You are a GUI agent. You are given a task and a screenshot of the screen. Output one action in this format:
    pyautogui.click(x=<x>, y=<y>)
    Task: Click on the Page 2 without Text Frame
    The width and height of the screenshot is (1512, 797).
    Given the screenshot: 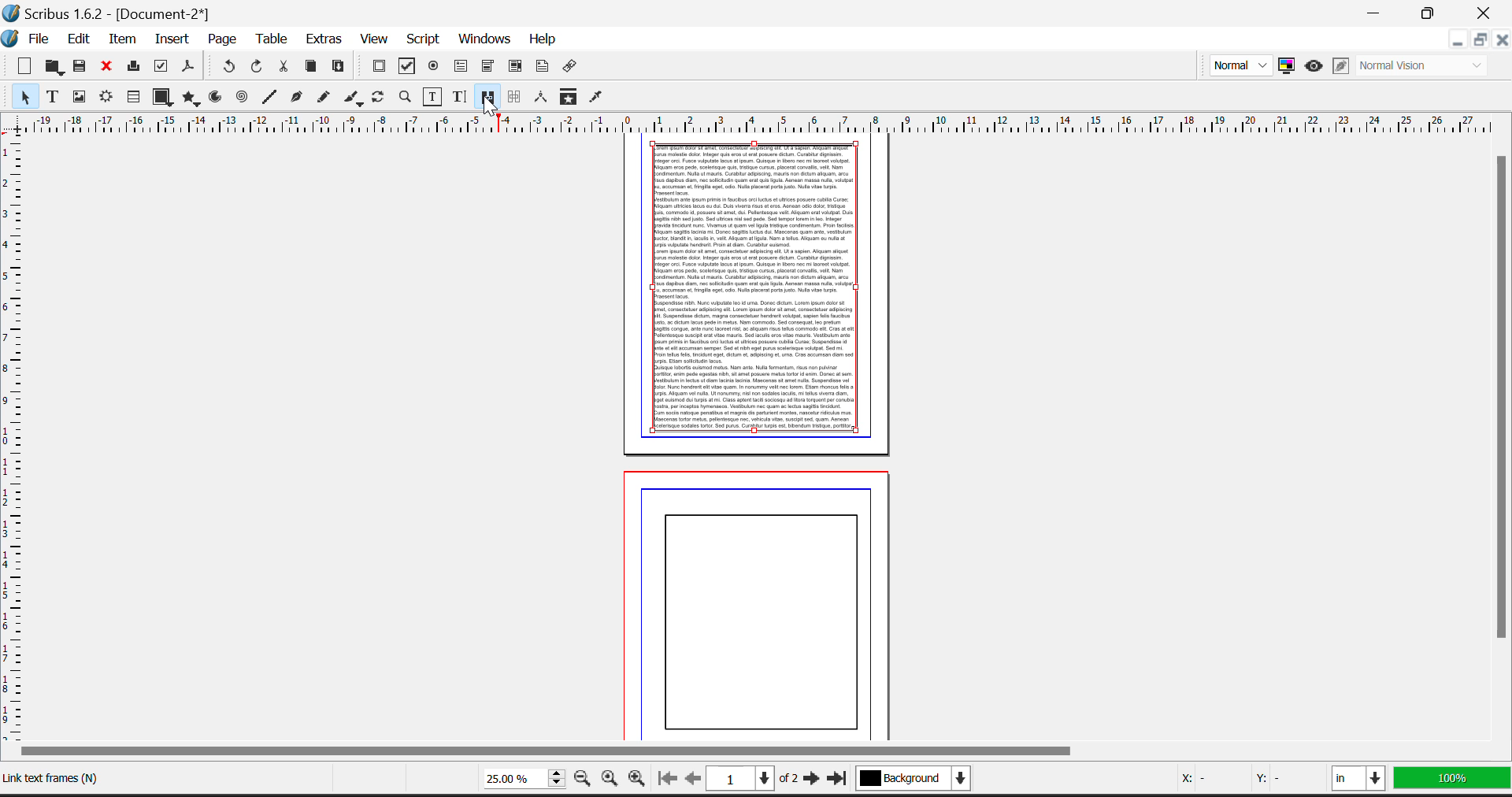 What is the action you would take?
    pyautogui.click(x=762, y=602)
    